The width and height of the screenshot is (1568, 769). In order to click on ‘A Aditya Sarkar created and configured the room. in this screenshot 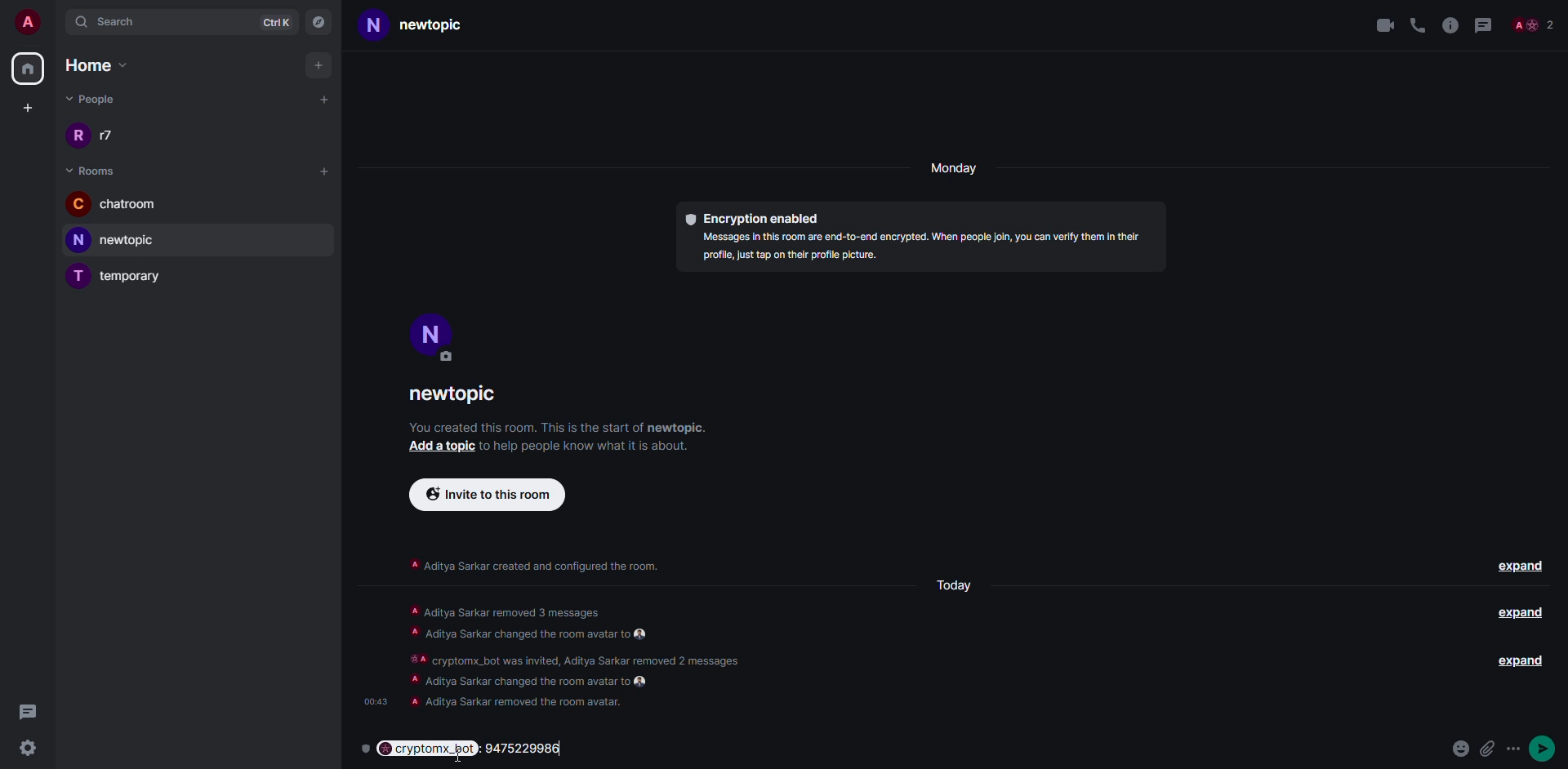, I will do `click(534, 562)`.